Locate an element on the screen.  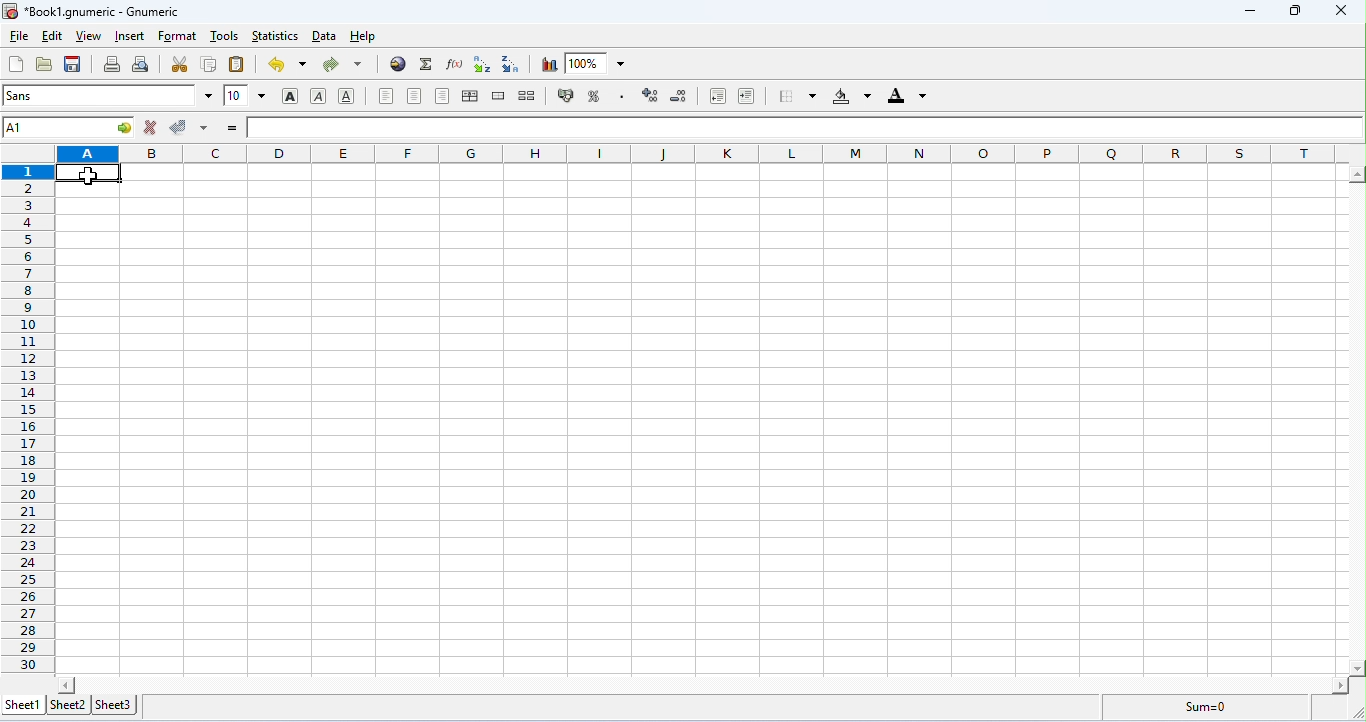
format as percent is located at coordinates (596, 96).